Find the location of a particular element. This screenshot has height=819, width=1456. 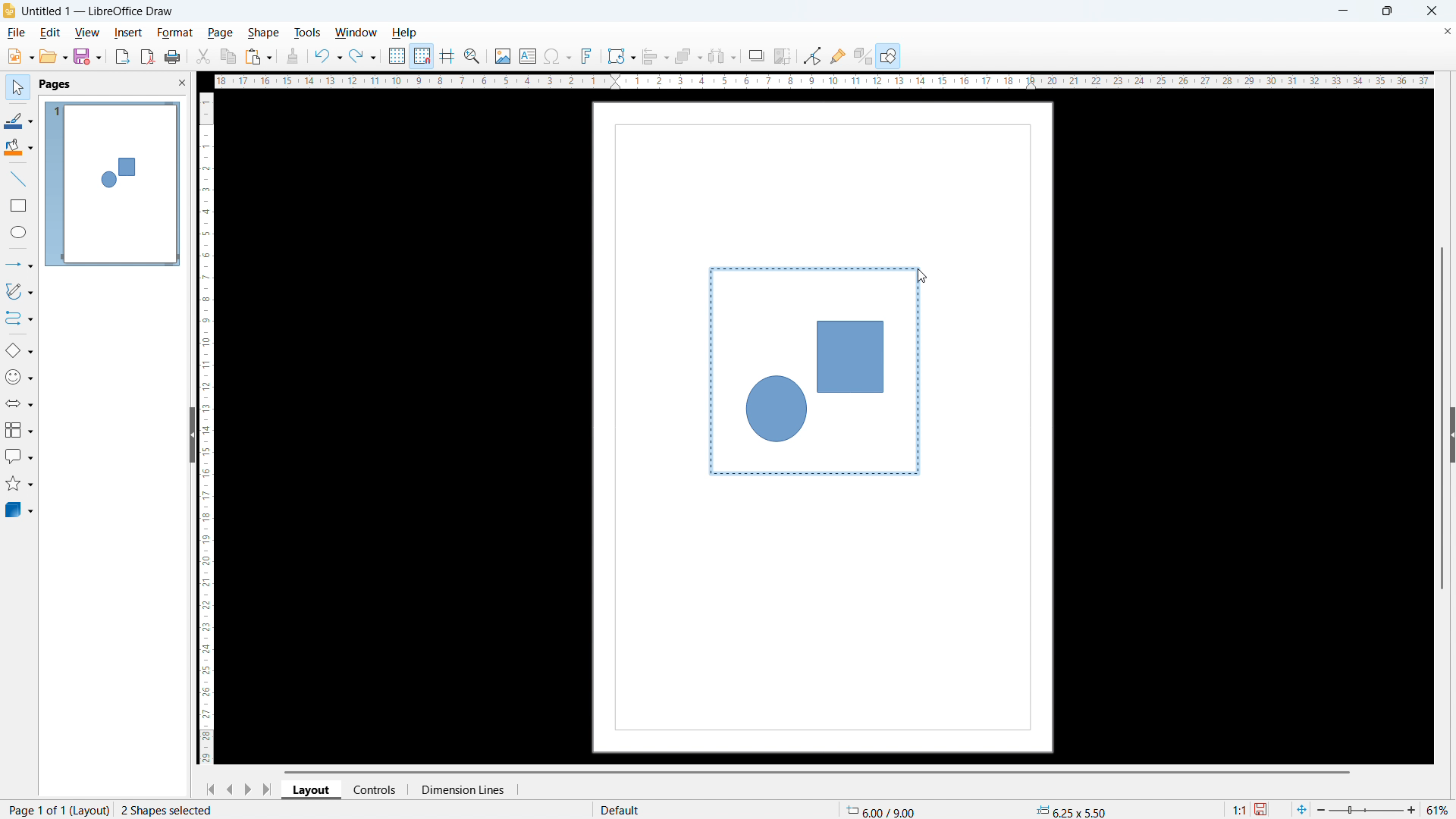

line color is located at coordinates (20, 121).